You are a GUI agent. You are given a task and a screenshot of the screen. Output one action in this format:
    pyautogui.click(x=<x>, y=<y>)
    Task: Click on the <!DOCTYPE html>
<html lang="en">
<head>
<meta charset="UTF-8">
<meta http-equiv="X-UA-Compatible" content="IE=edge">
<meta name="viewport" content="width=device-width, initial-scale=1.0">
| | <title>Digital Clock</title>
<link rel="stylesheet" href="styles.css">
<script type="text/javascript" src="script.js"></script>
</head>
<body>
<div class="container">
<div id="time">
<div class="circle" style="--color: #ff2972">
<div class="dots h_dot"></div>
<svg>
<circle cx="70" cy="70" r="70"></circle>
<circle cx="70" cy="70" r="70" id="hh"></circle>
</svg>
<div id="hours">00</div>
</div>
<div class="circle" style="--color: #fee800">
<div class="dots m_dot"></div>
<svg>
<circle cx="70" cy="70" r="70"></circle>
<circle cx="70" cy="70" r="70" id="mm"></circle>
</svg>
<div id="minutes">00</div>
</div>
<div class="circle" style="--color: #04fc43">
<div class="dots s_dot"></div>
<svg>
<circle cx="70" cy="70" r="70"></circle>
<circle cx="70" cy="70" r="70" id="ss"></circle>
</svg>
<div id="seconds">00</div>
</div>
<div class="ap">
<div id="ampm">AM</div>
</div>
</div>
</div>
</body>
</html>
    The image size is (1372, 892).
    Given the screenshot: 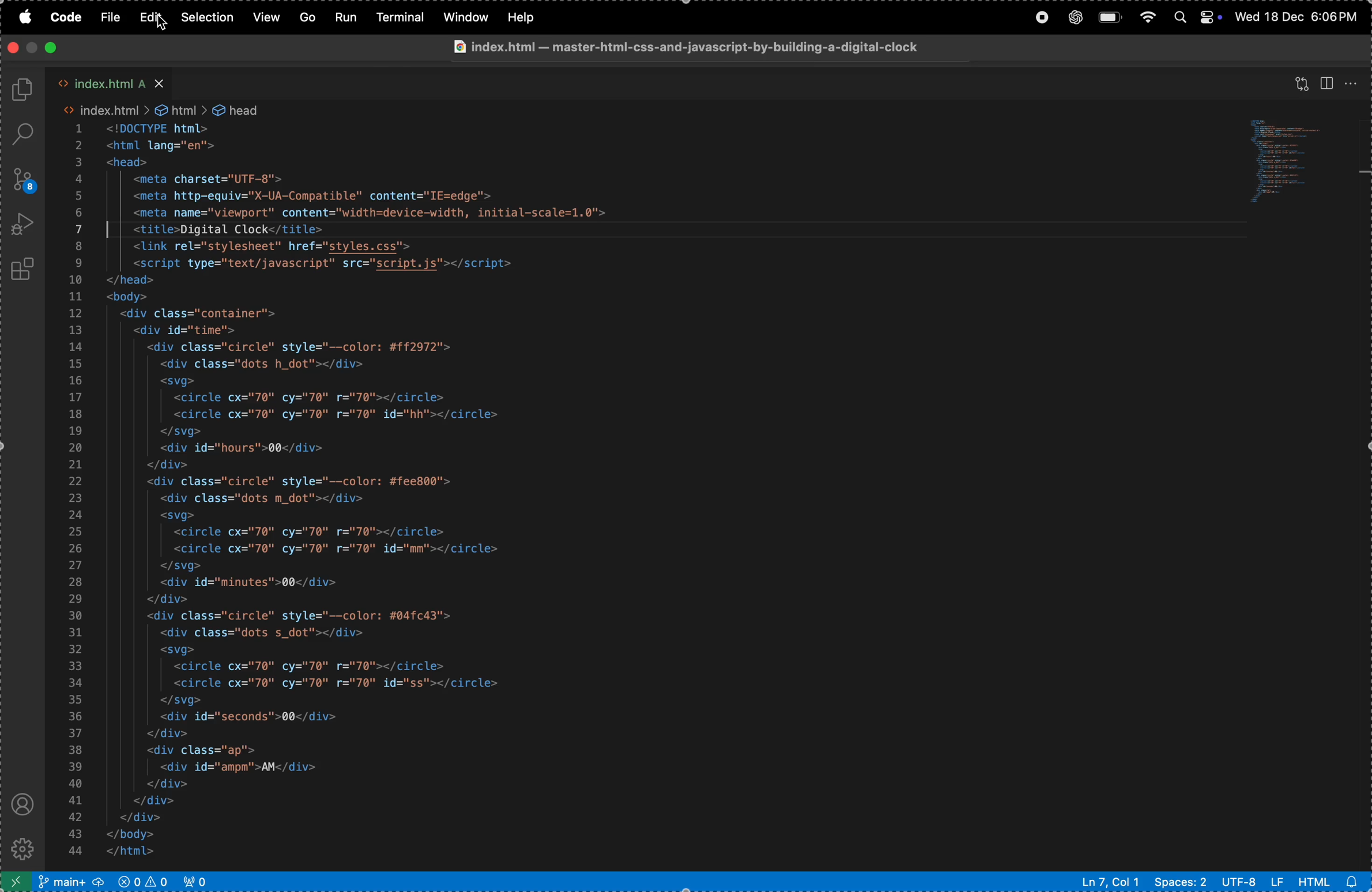 What is the action you would take?
    pyautogui.click(x=357, y=492)
    